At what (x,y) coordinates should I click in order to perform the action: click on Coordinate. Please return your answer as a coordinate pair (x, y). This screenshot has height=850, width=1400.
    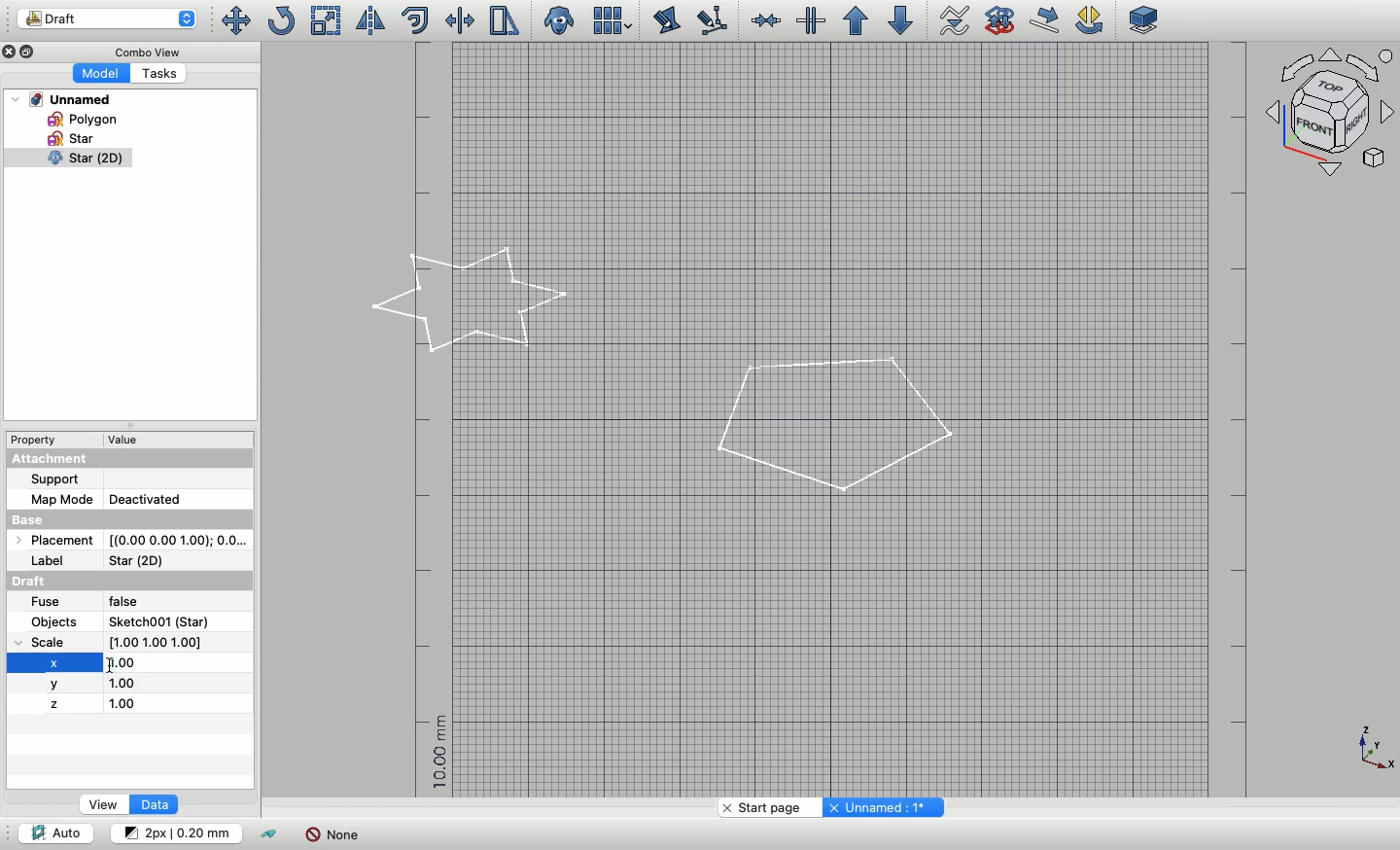
    Looking at the image, I should click on (161, 641).